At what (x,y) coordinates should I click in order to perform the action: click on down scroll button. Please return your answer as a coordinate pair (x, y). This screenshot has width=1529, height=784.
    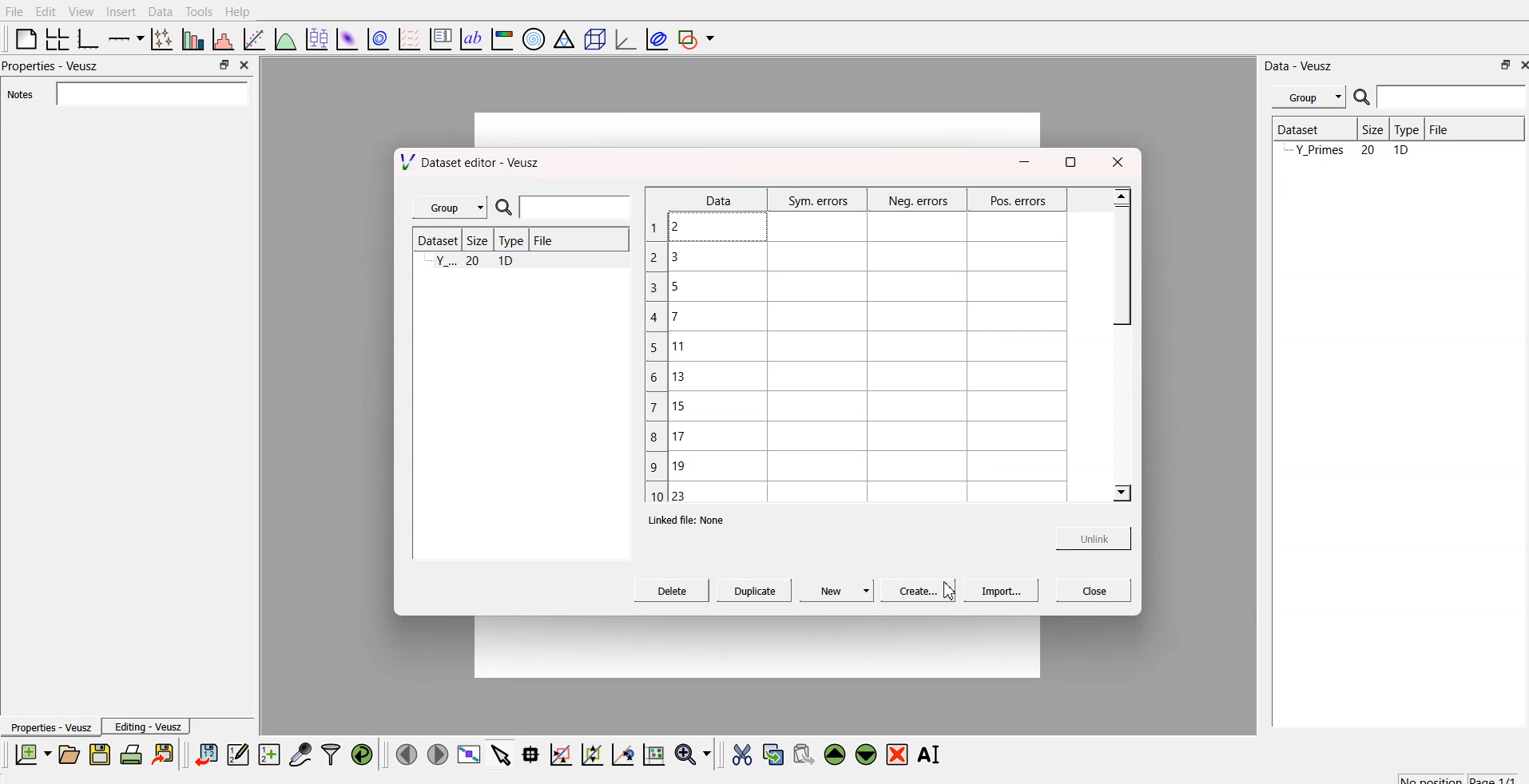
    Looking at the image, I should click on (1121, 494).